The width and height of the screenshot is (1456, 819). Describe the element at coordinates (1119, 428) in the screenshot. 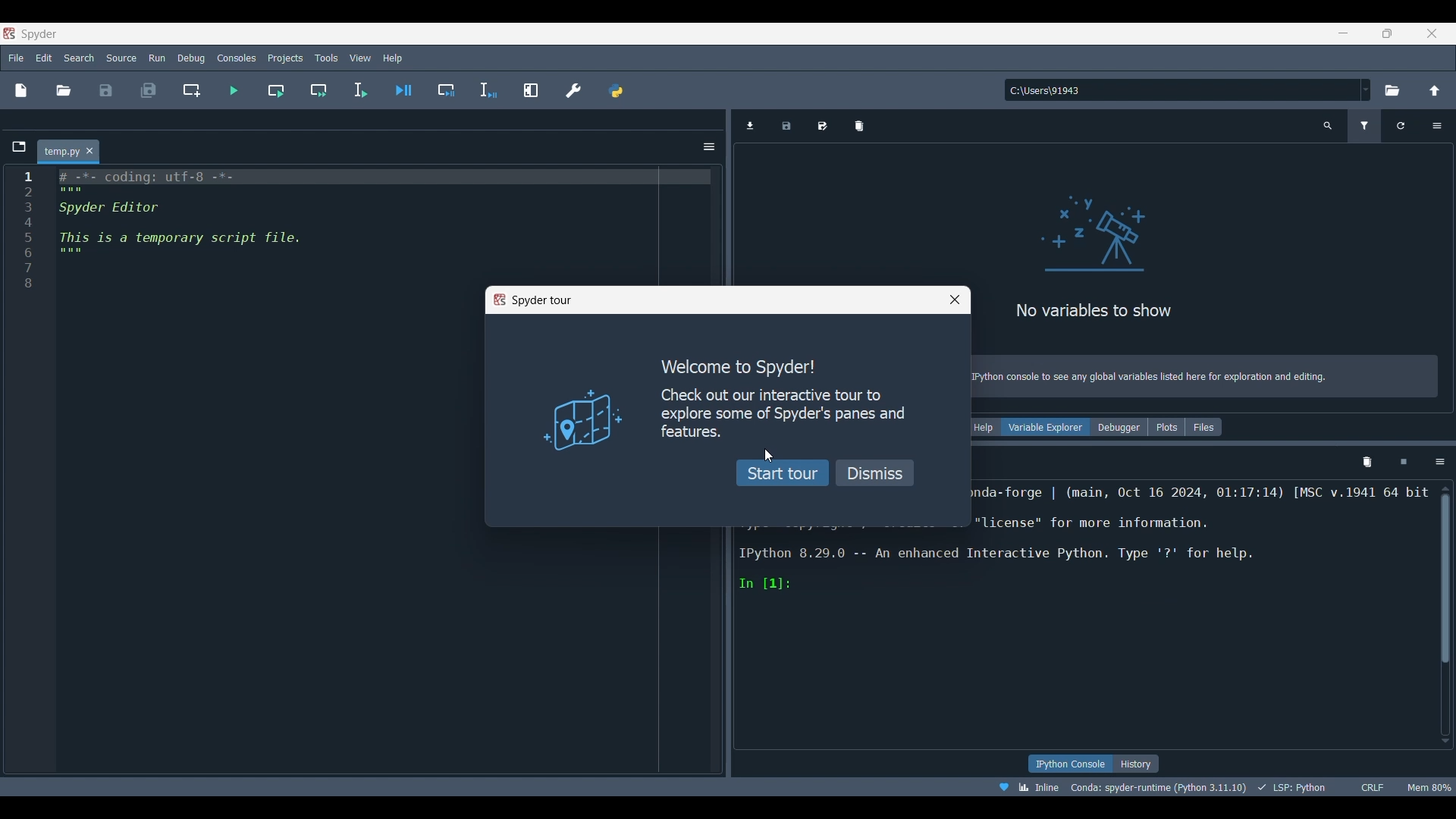

I see `debugger` at that location.